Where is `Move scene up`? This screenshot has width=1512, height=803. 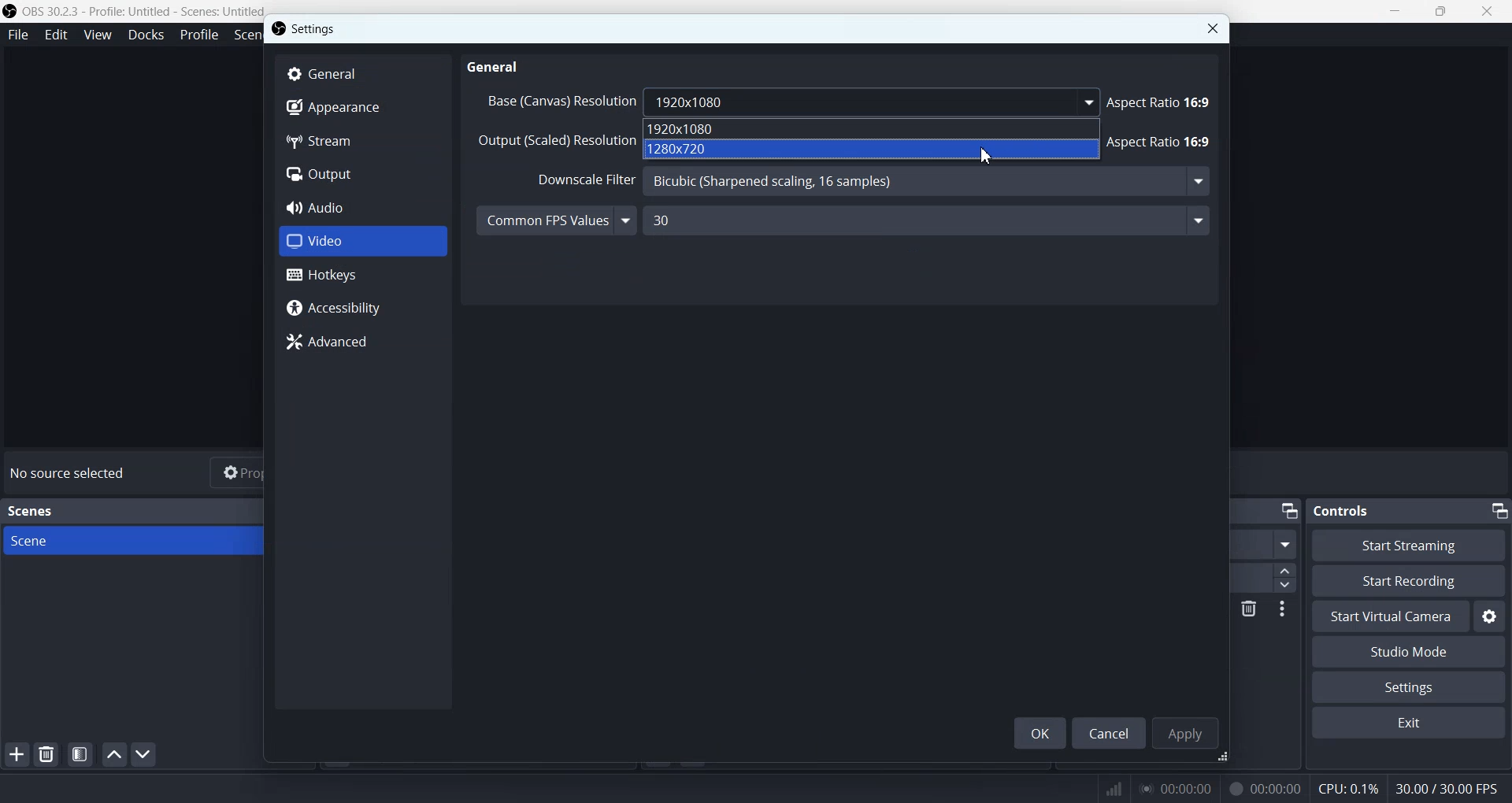 Move scene up is located at coordinates (113, 754).